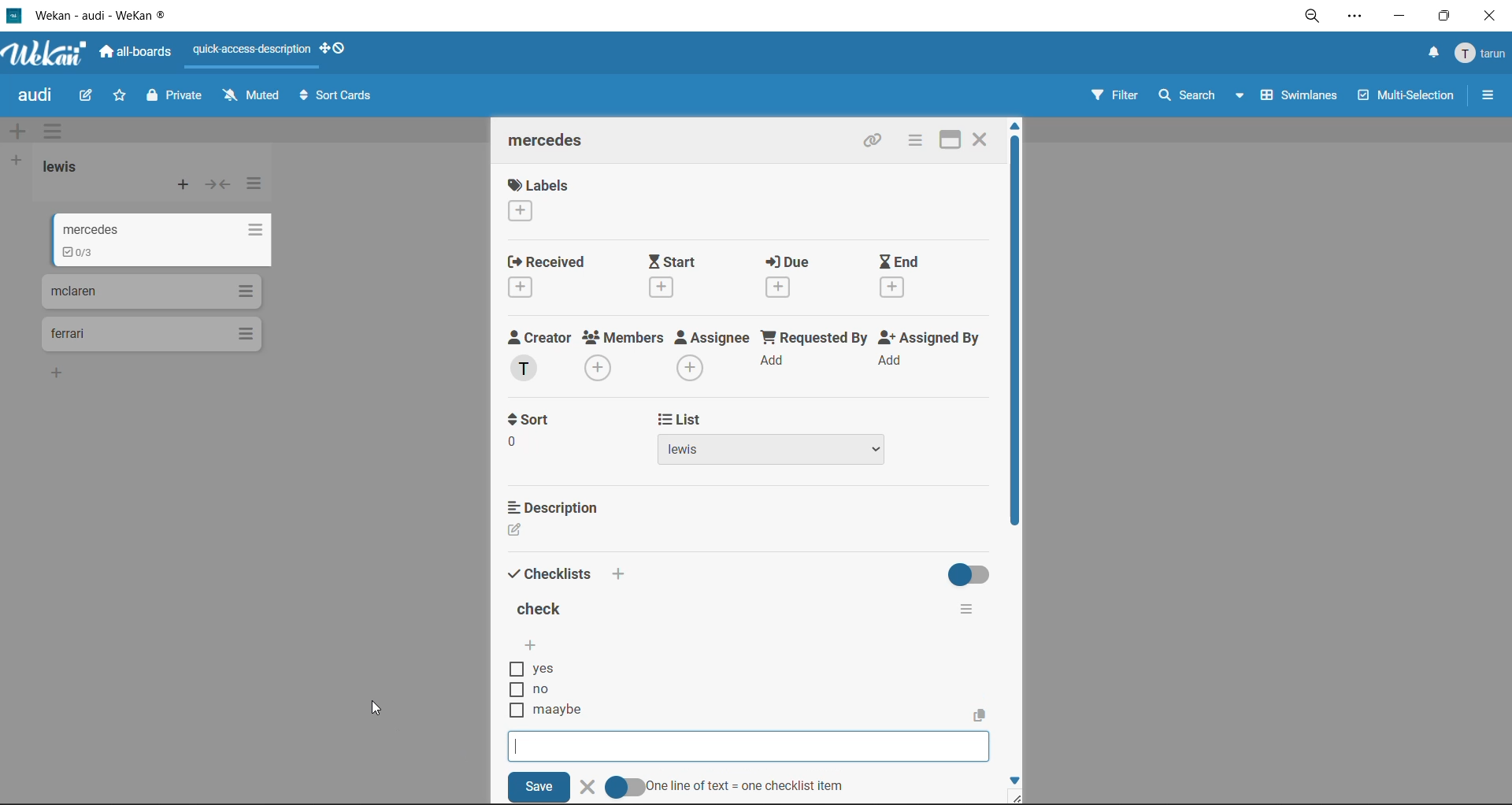  What do you see at coordinates (686, 276) in the screenshot?
I see `start` at bounding box center [686, 276].